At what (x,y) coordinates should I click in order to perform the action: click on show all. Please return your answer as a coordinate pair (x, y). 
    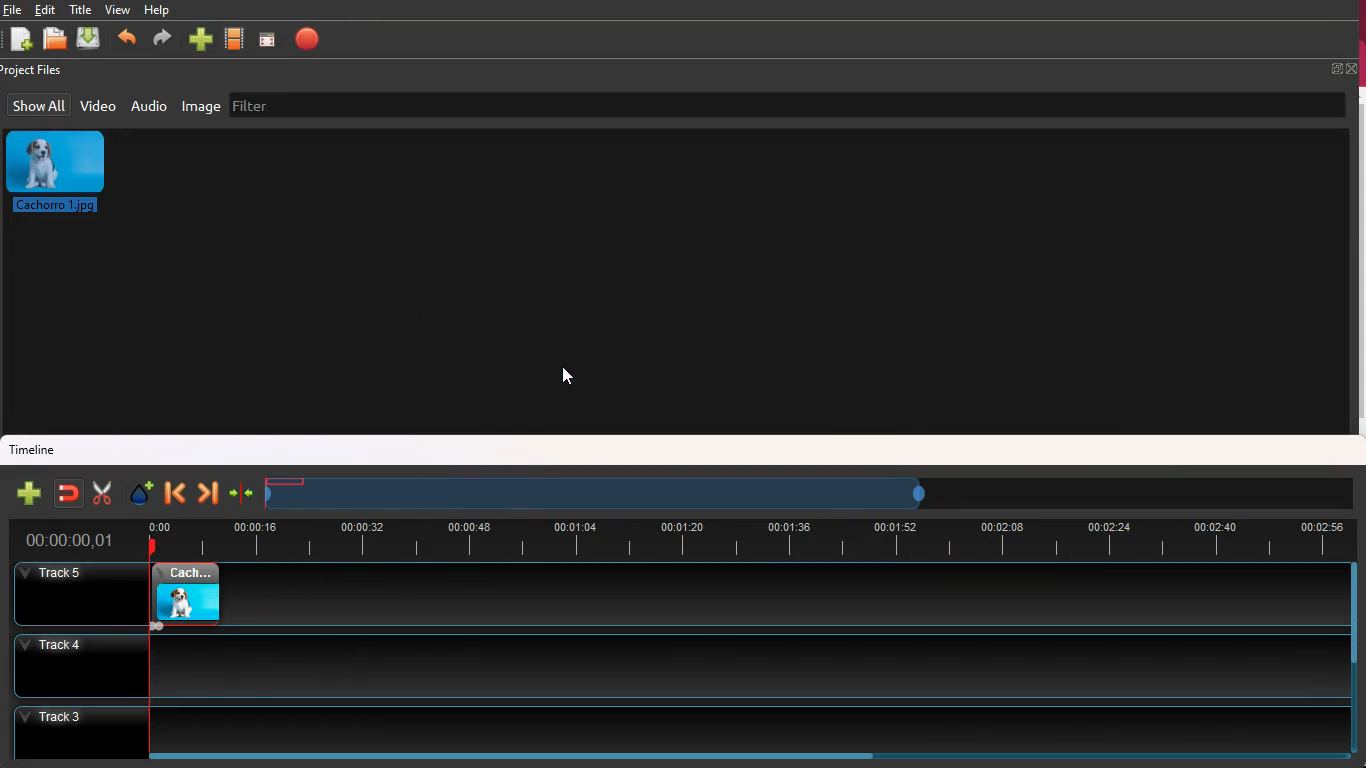
    Looking at the image, I should click on (38, 105).